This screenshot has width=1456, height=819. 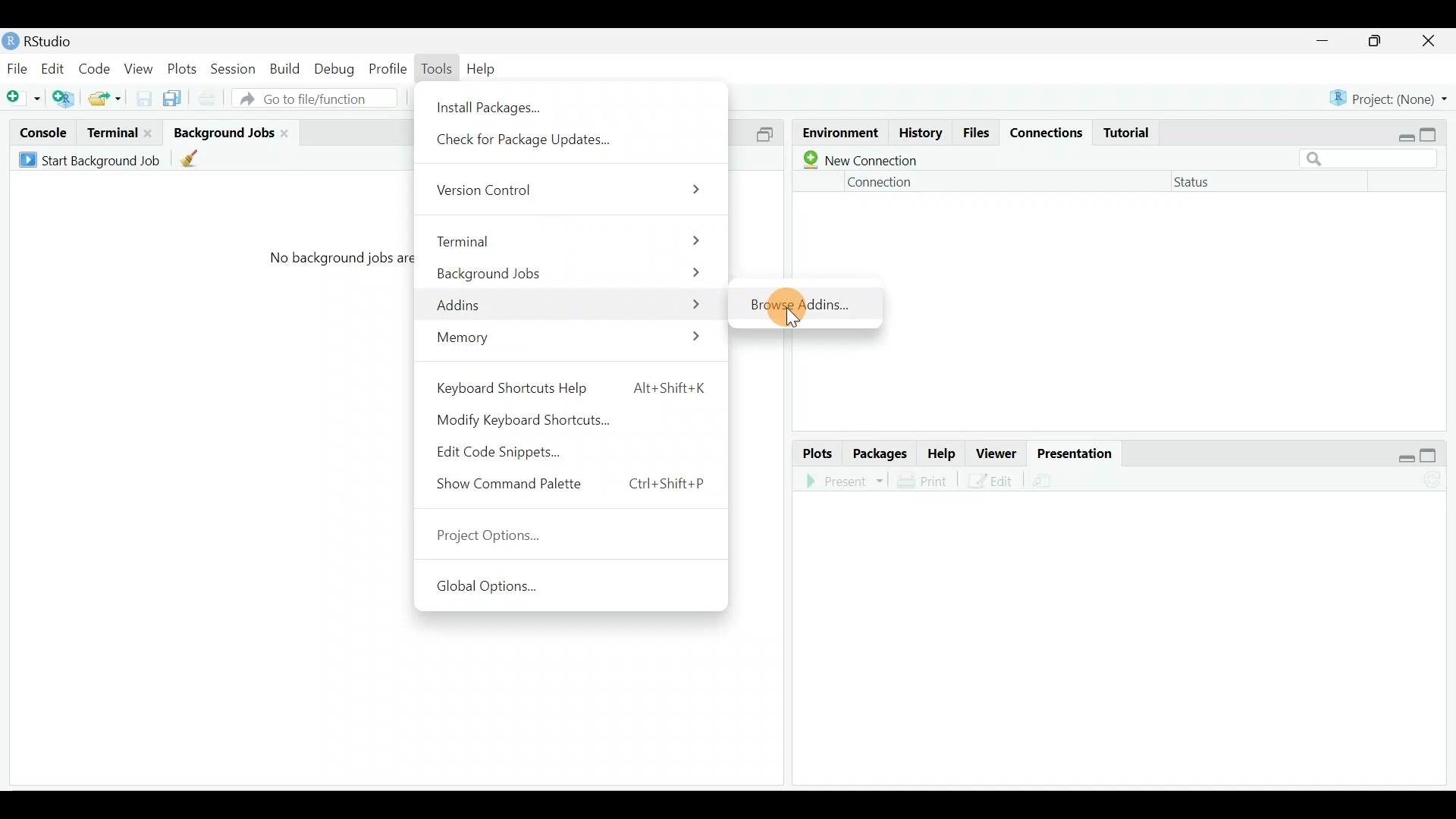 What do you see at coordinates (1129, 133) in the screenshot?
I see `Tutorial` at bounding box center [1129, 133].